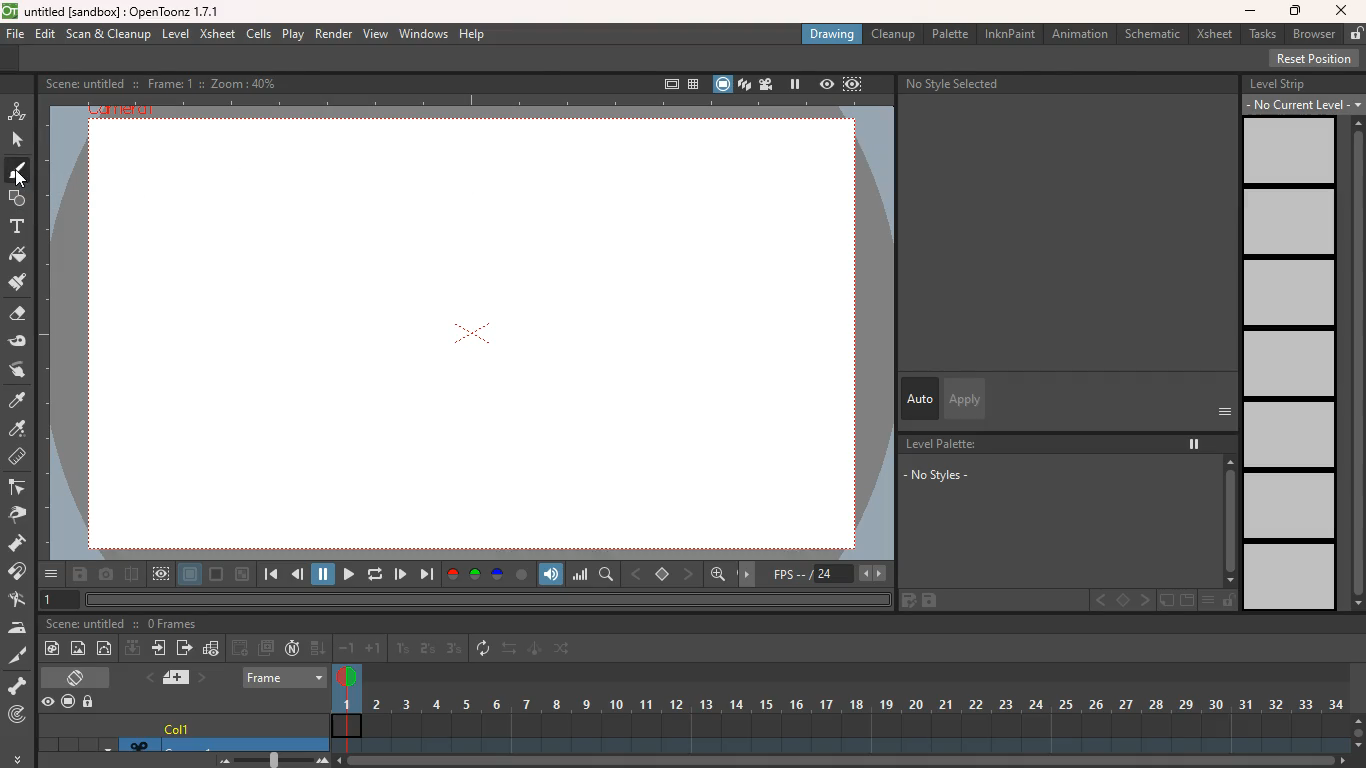 Image resolution: width=1366 pixels, height=768 pixels. What do you see at coordinates (608, 575) in the screenshot?
I see `find` at bounding box center [608, 575].